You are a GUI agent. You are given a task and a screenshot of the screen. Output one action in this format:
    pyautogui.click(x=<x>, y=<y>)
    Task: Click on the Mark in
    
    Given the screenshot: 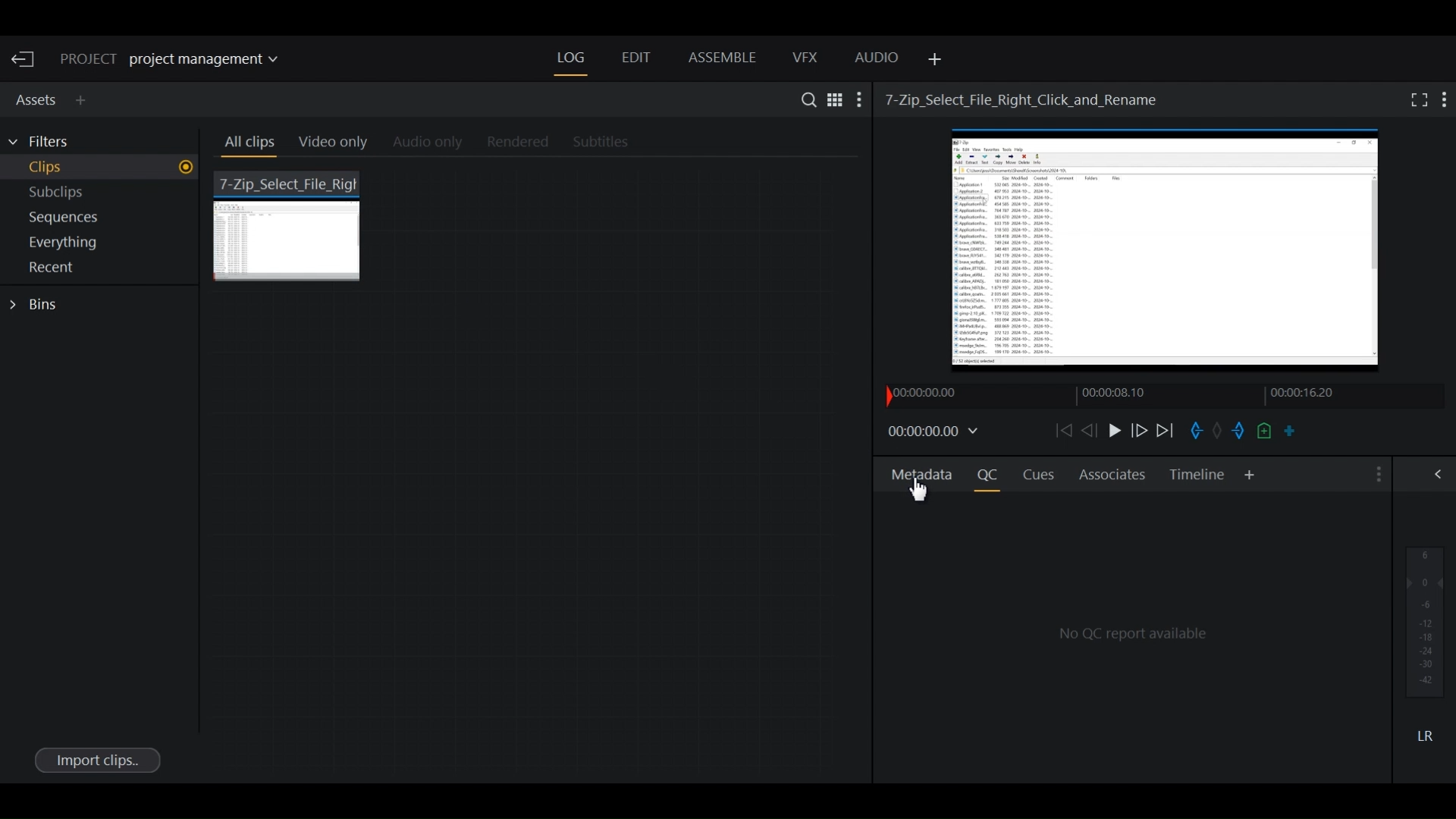 What is the action you would take?
    pyautogui.click(x=1195, y=430)
    